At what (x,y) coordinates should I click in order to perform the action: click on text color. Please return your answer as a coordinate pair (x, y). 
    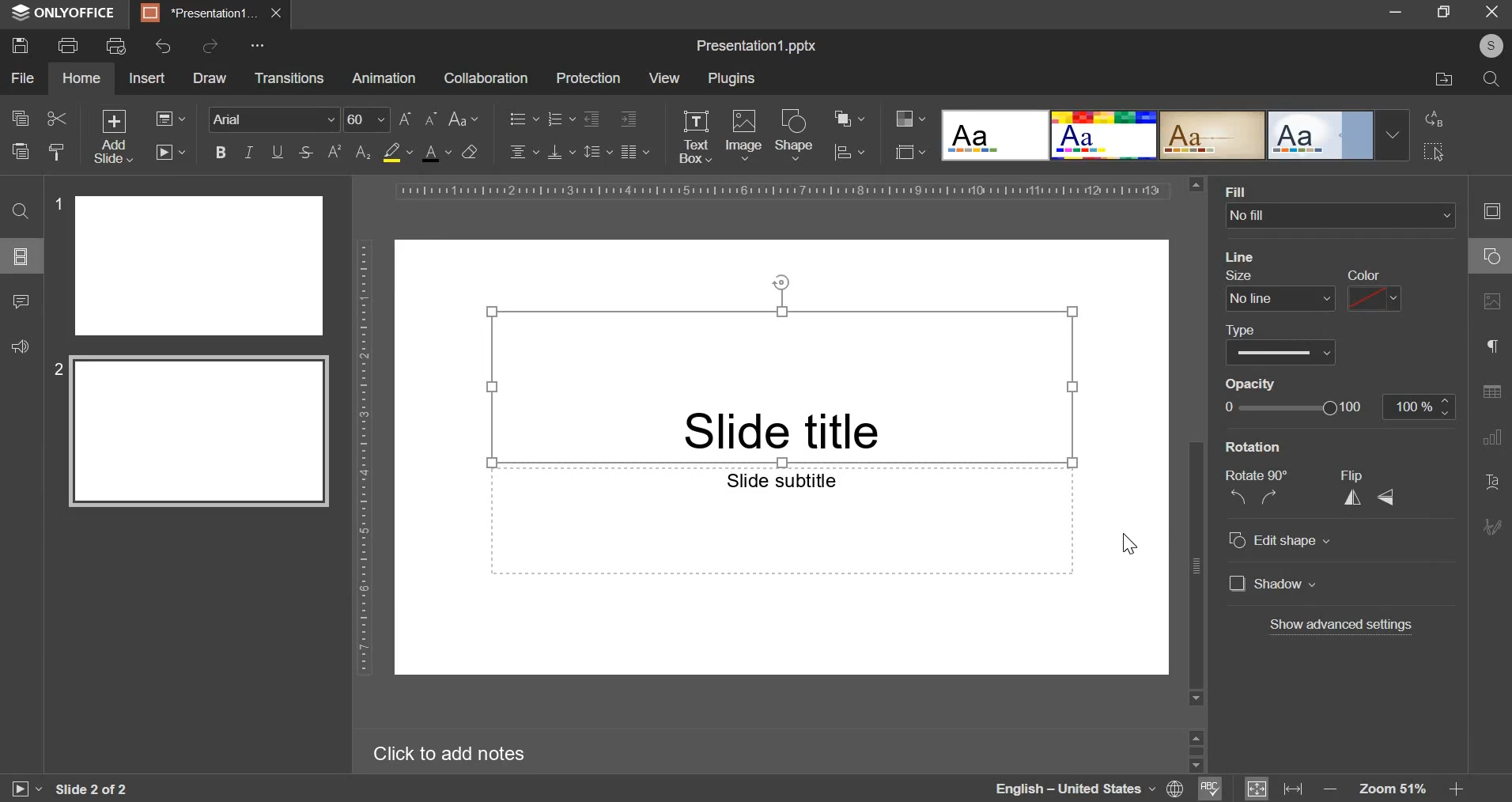
    Looking at the image, I should click on (436, 153).